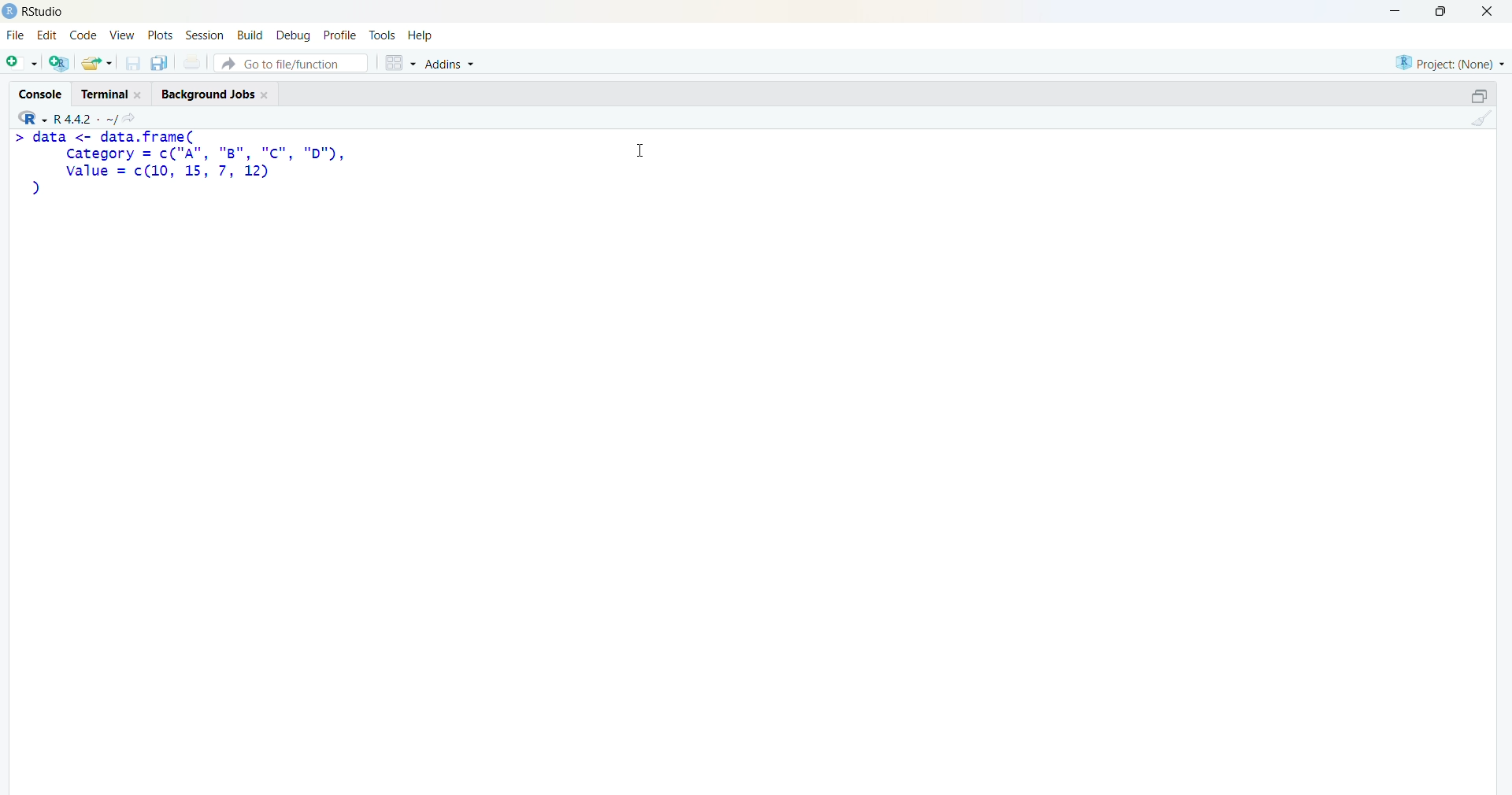  I want to click on maximize, so click(1479, 96).